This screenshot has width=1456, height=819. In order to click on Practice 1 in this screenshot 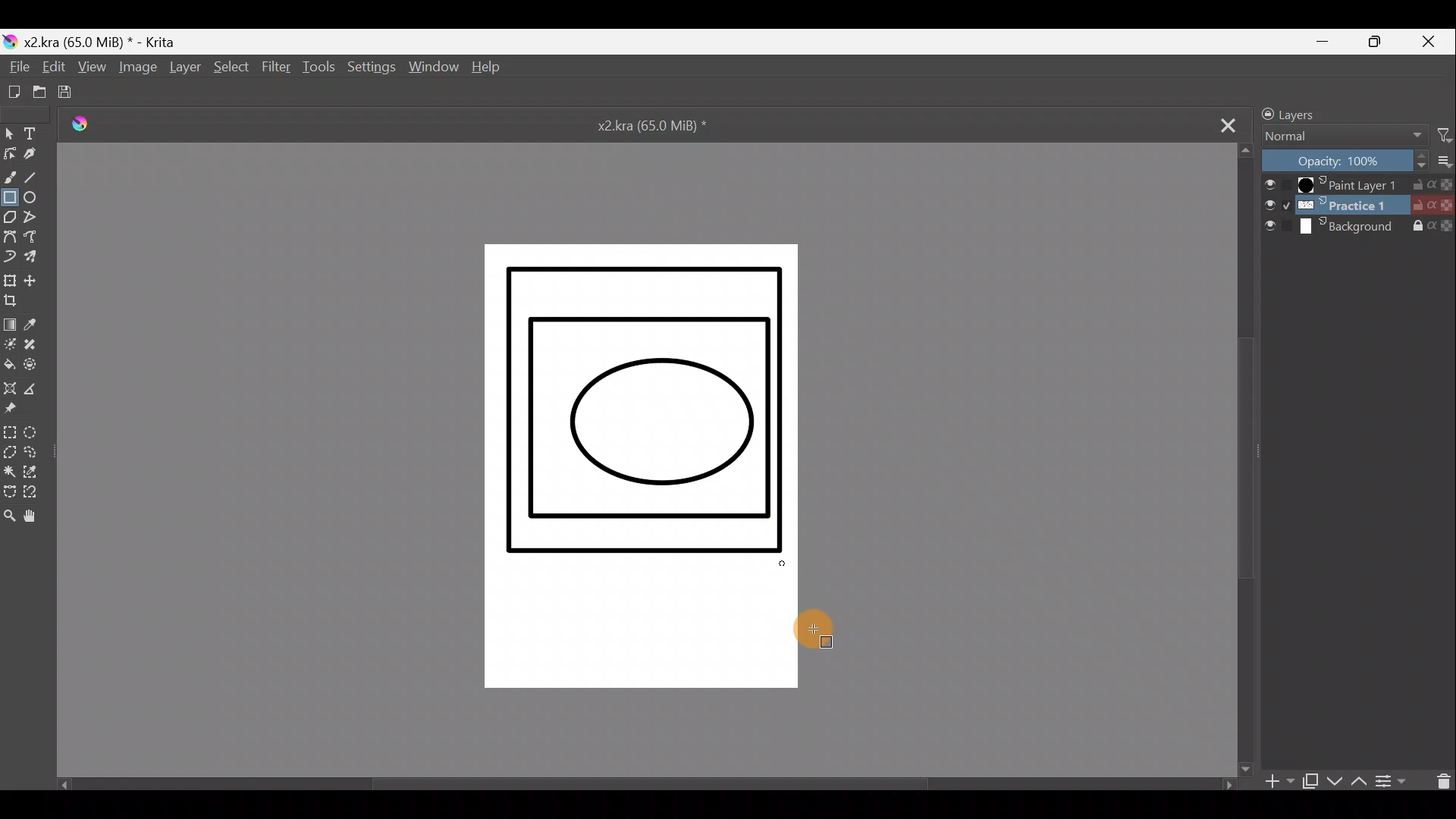, I will do `click(1359, 207)`.